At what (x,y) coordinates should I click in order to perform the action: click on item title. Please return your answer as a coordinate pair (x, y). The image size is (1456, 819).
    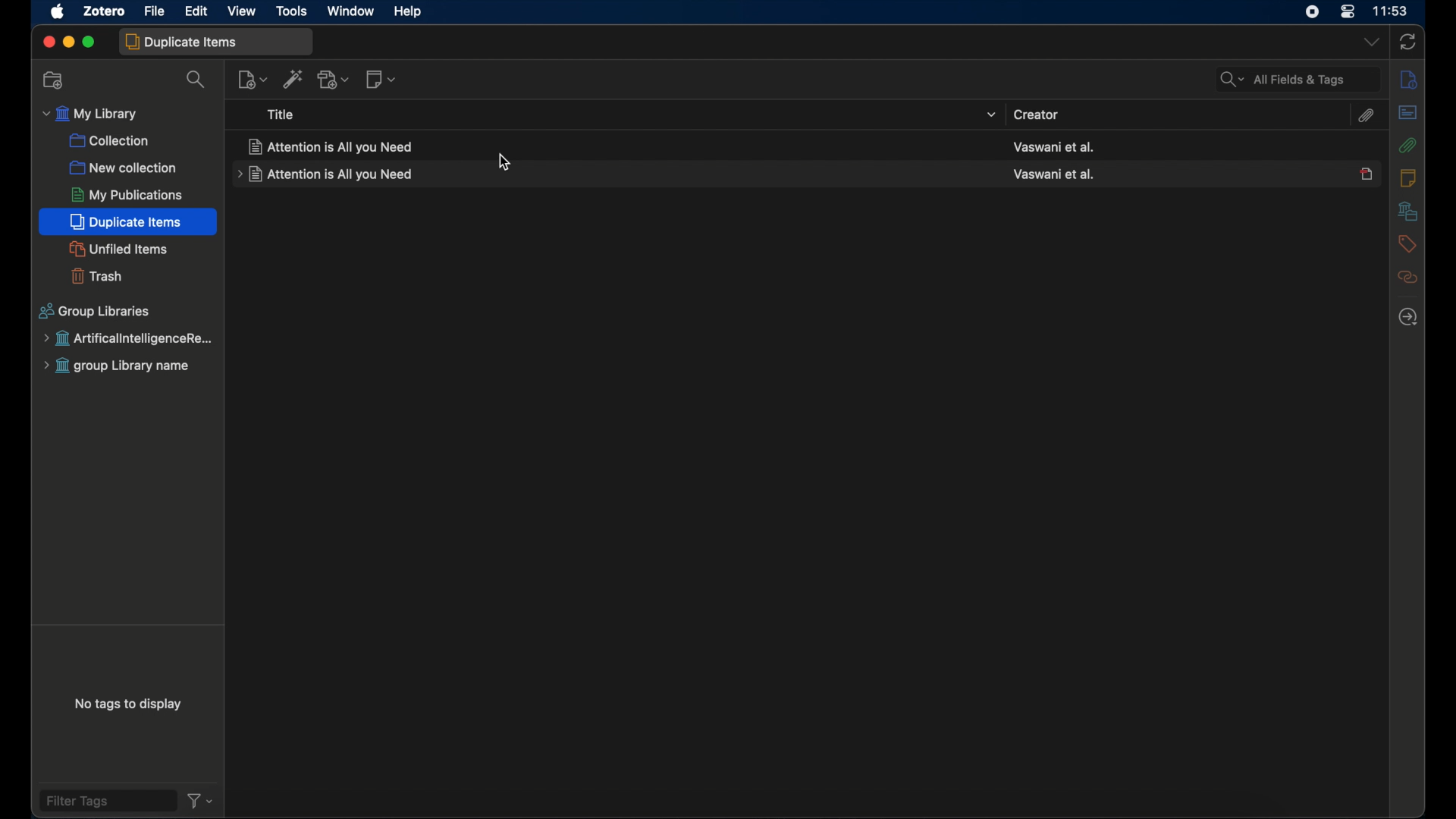
    Looking at the image, I should click on (334, 146).